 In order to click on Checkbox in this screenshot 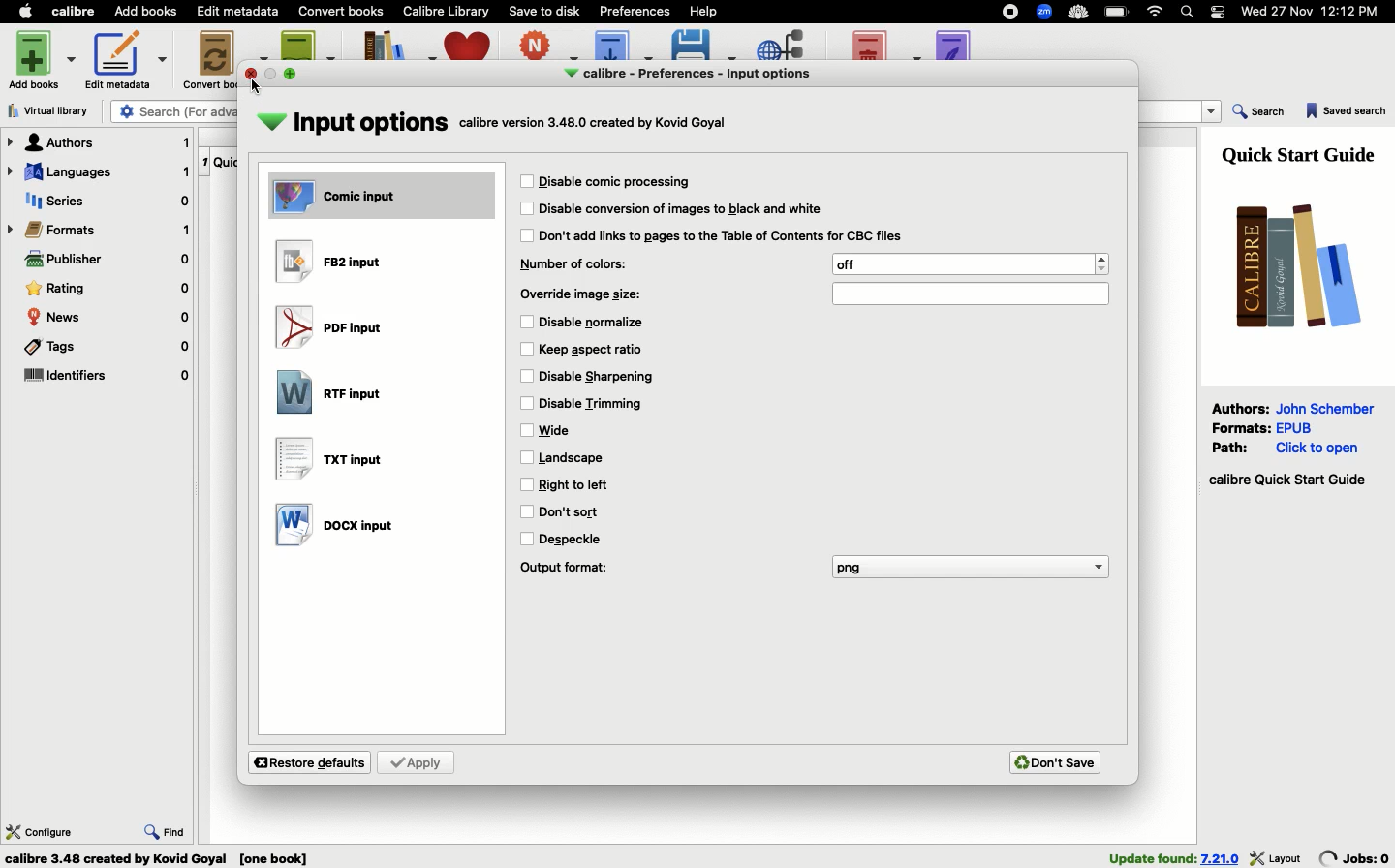, I will do `click(526, 512)`.